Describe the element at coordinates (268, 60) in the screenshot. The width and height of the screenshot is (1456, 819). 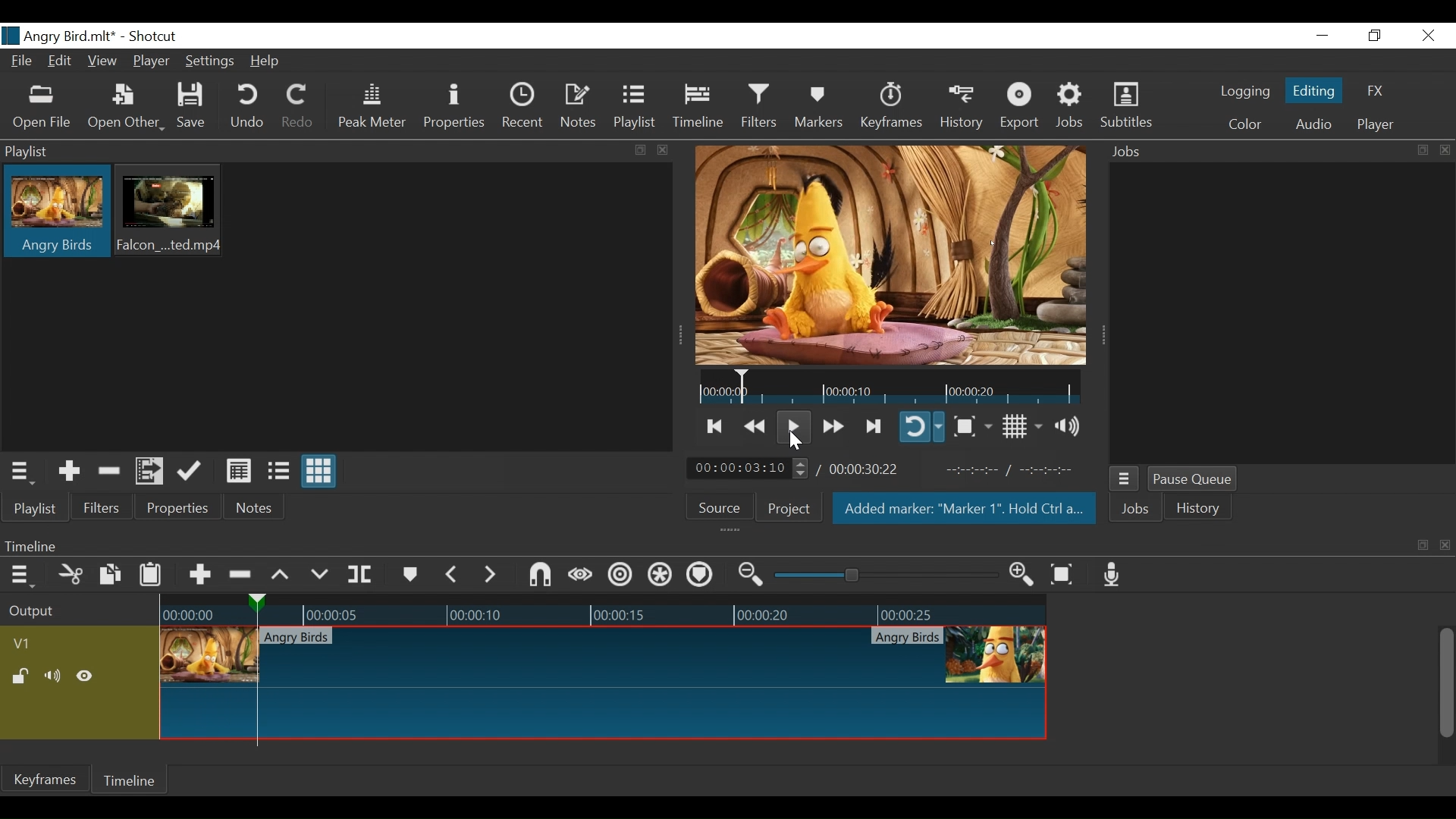
I see `Help` at that location.